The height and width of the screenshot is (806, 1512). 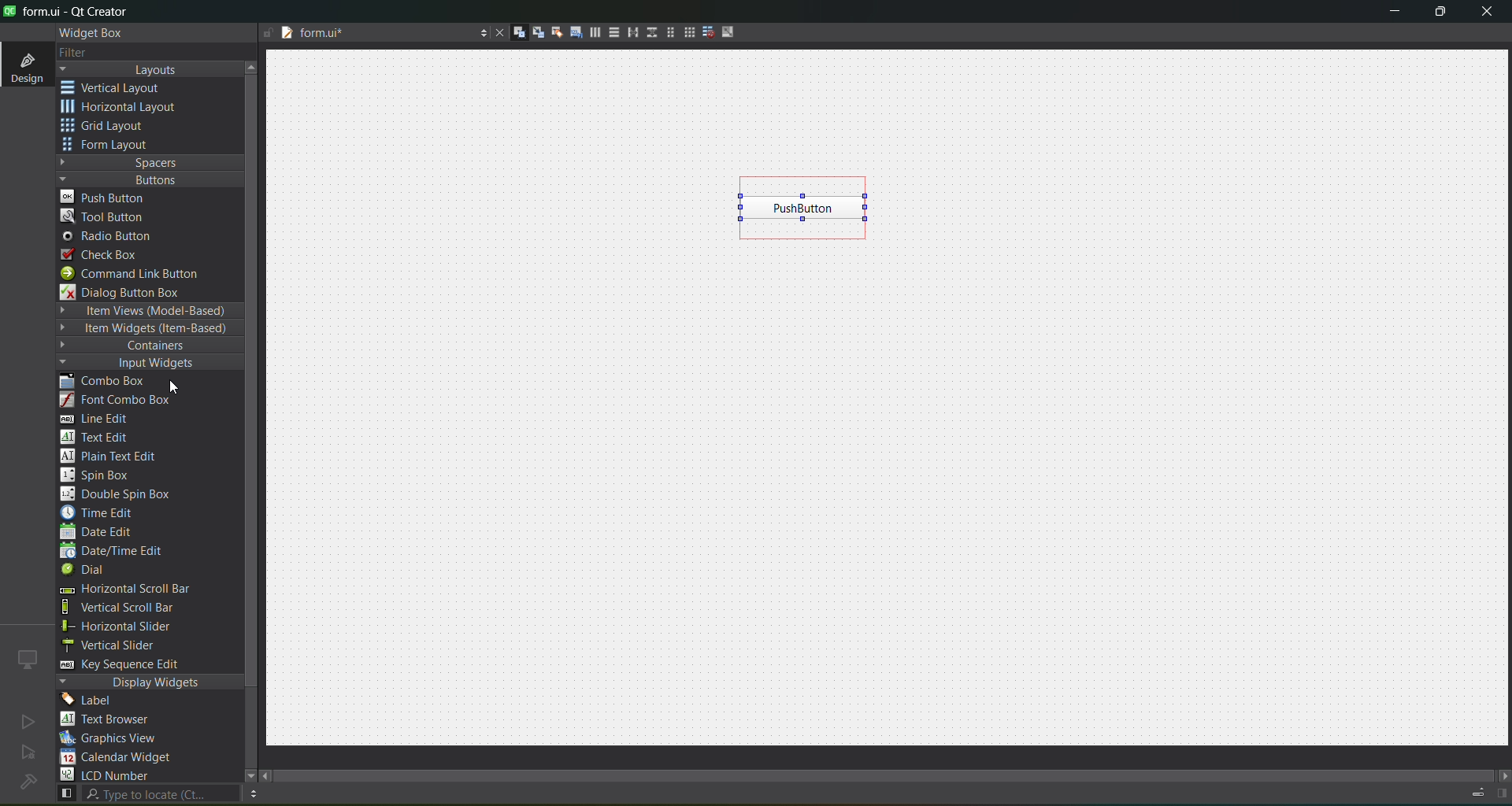 I want to click on search, so click(x=146, y=794).